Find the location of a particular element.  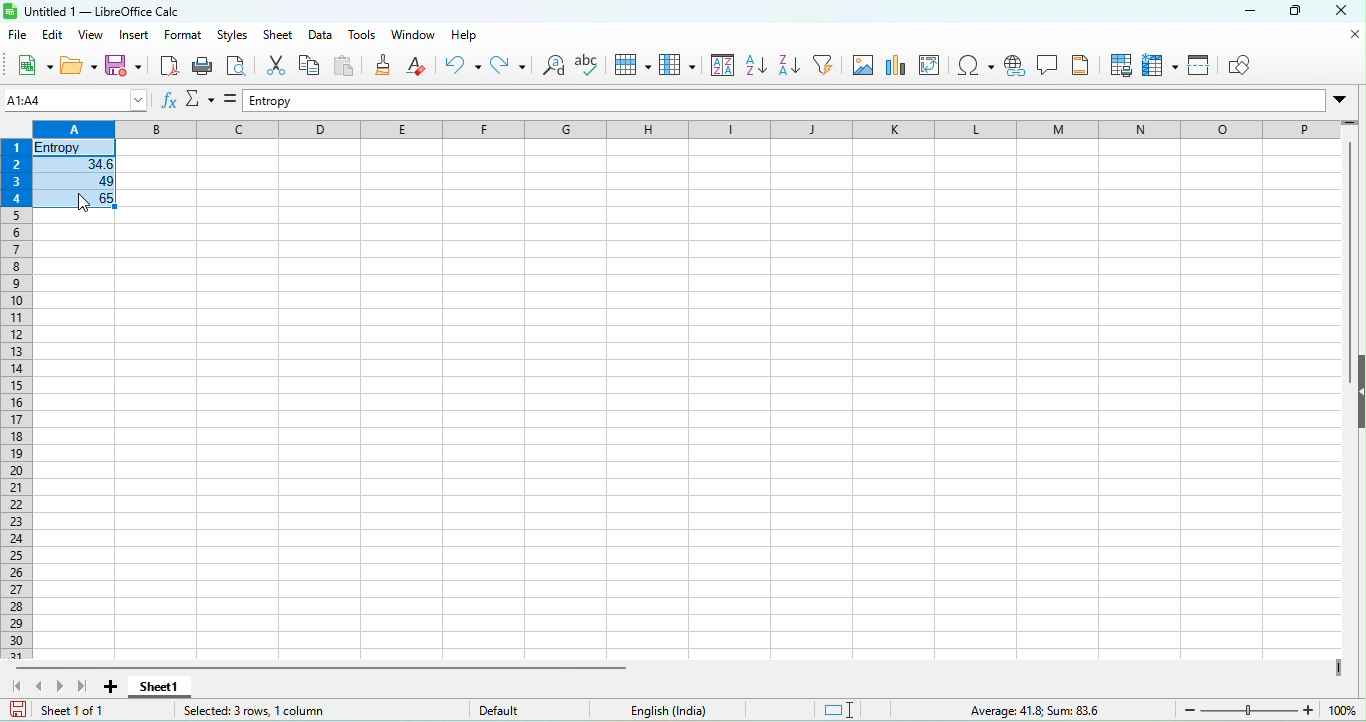

rows is located at coordinates (15, 390).